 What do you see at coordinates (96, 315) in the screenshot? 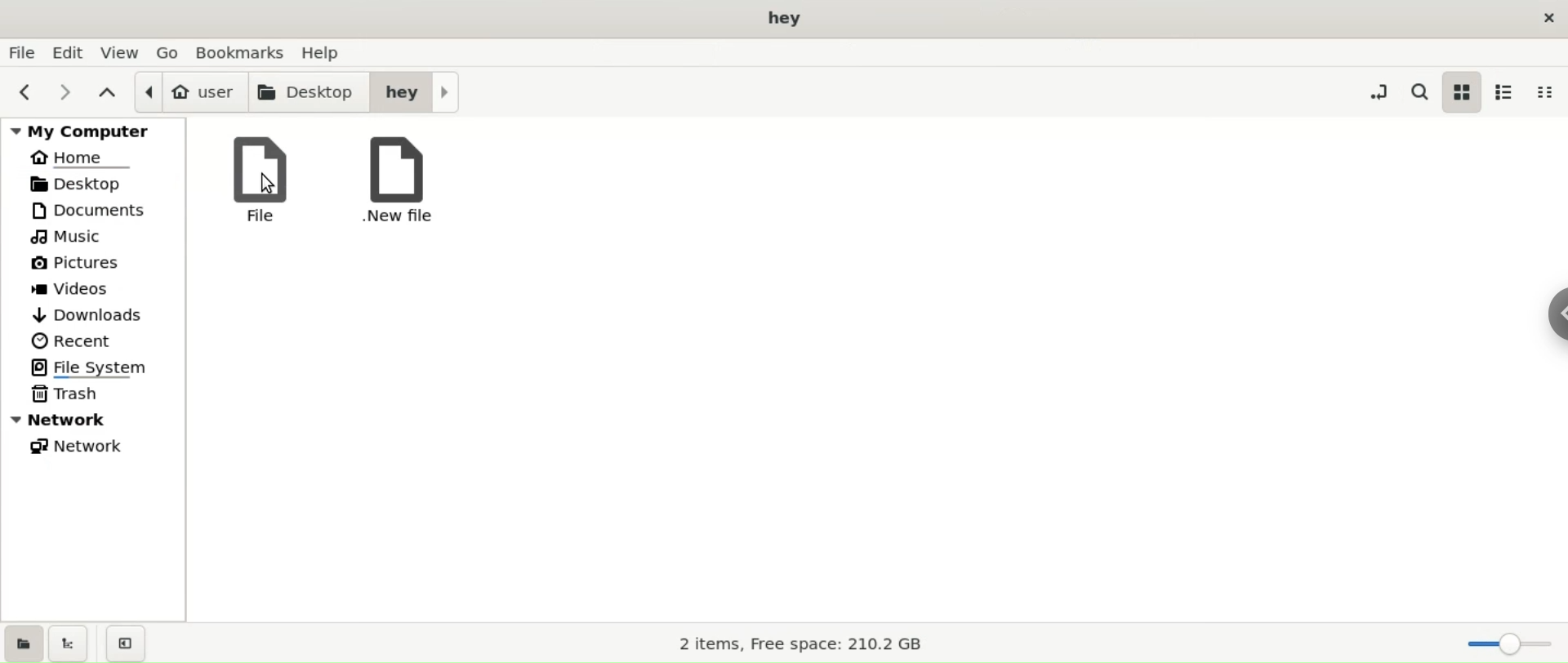
I see `downloads` at bounding box center [96, 315].